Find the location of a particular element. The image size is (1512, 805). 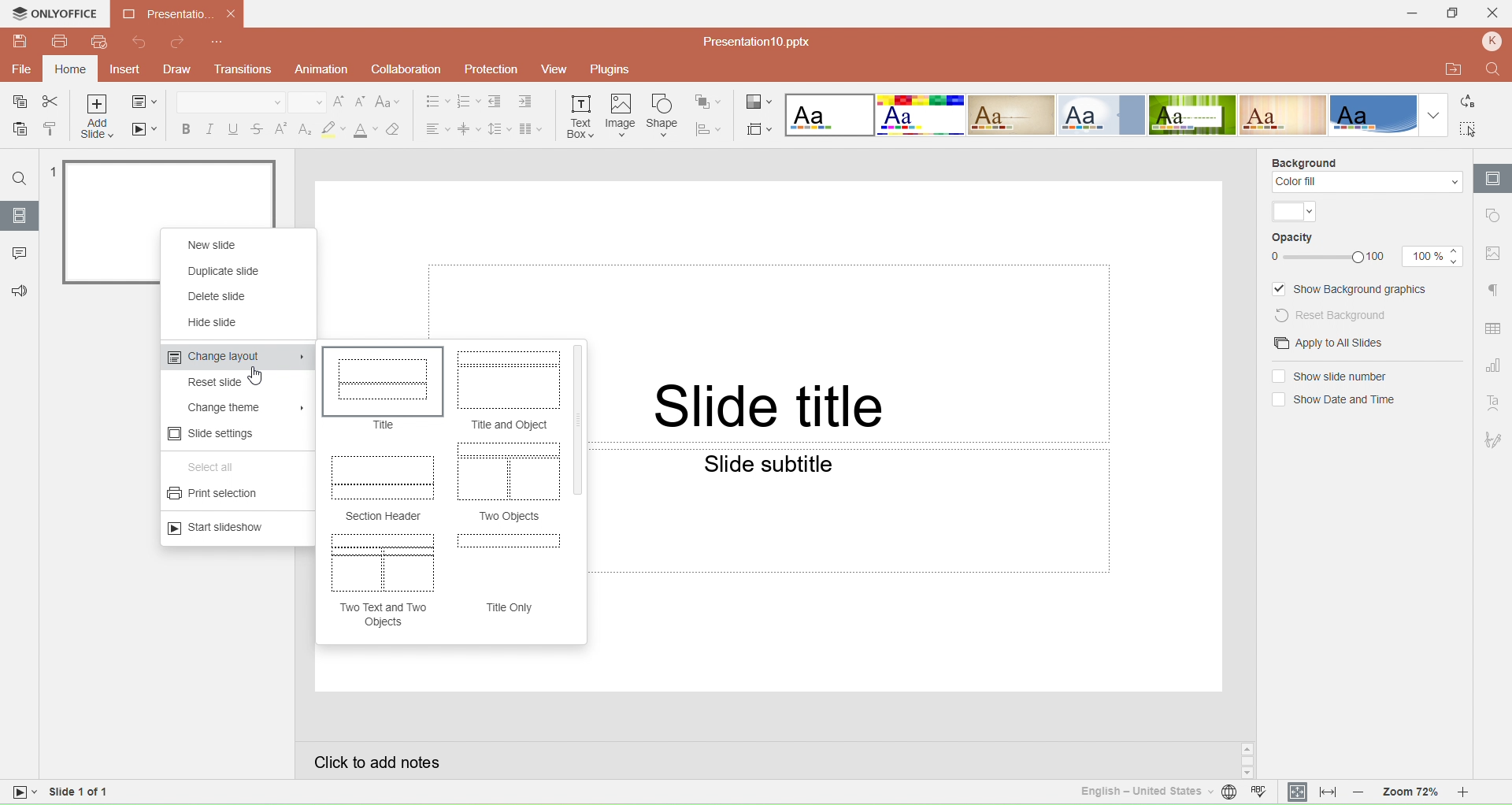

Change case is located at coordinates (390, 102).